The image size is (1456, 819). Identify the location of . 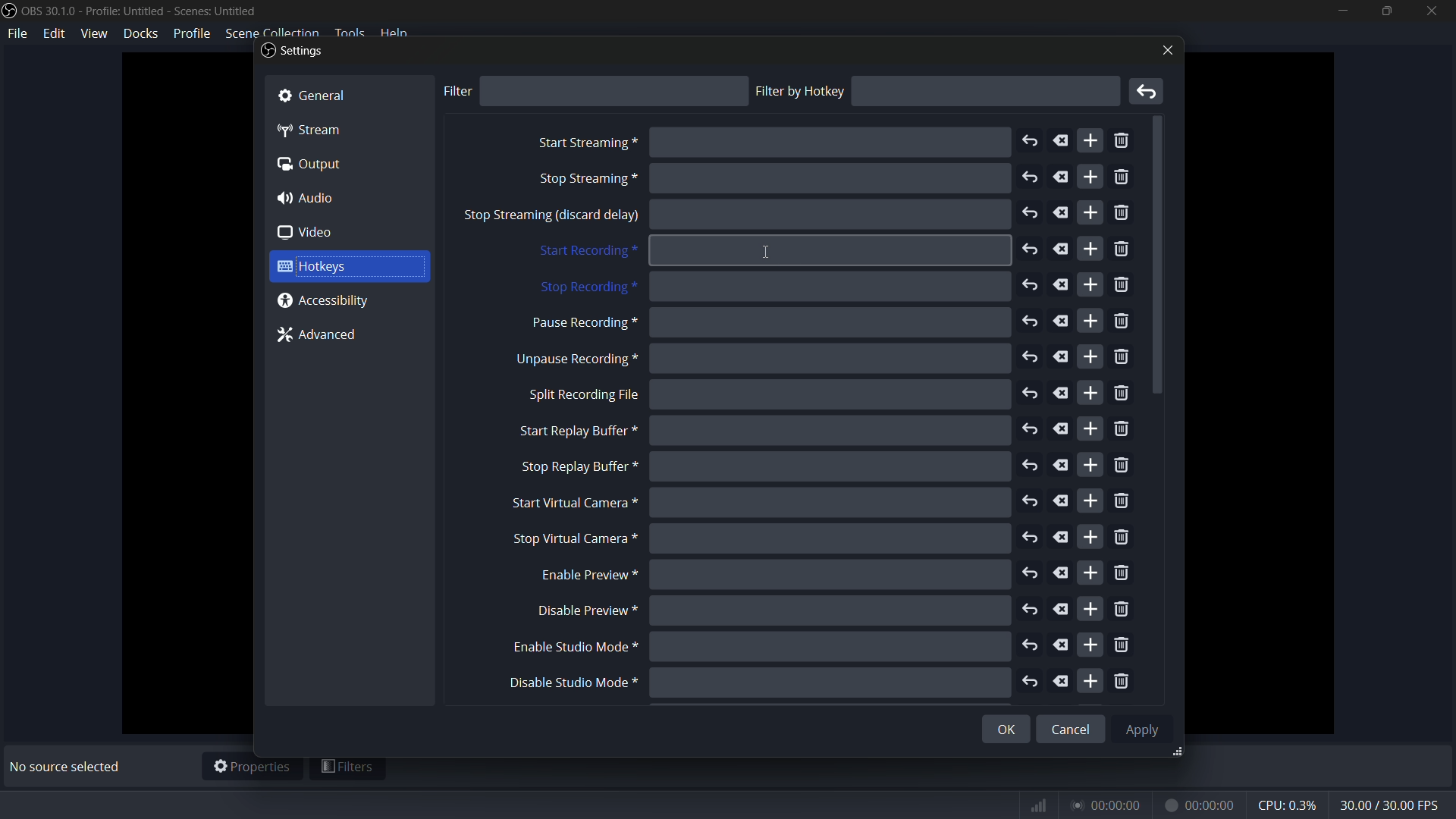
(1061, 177).